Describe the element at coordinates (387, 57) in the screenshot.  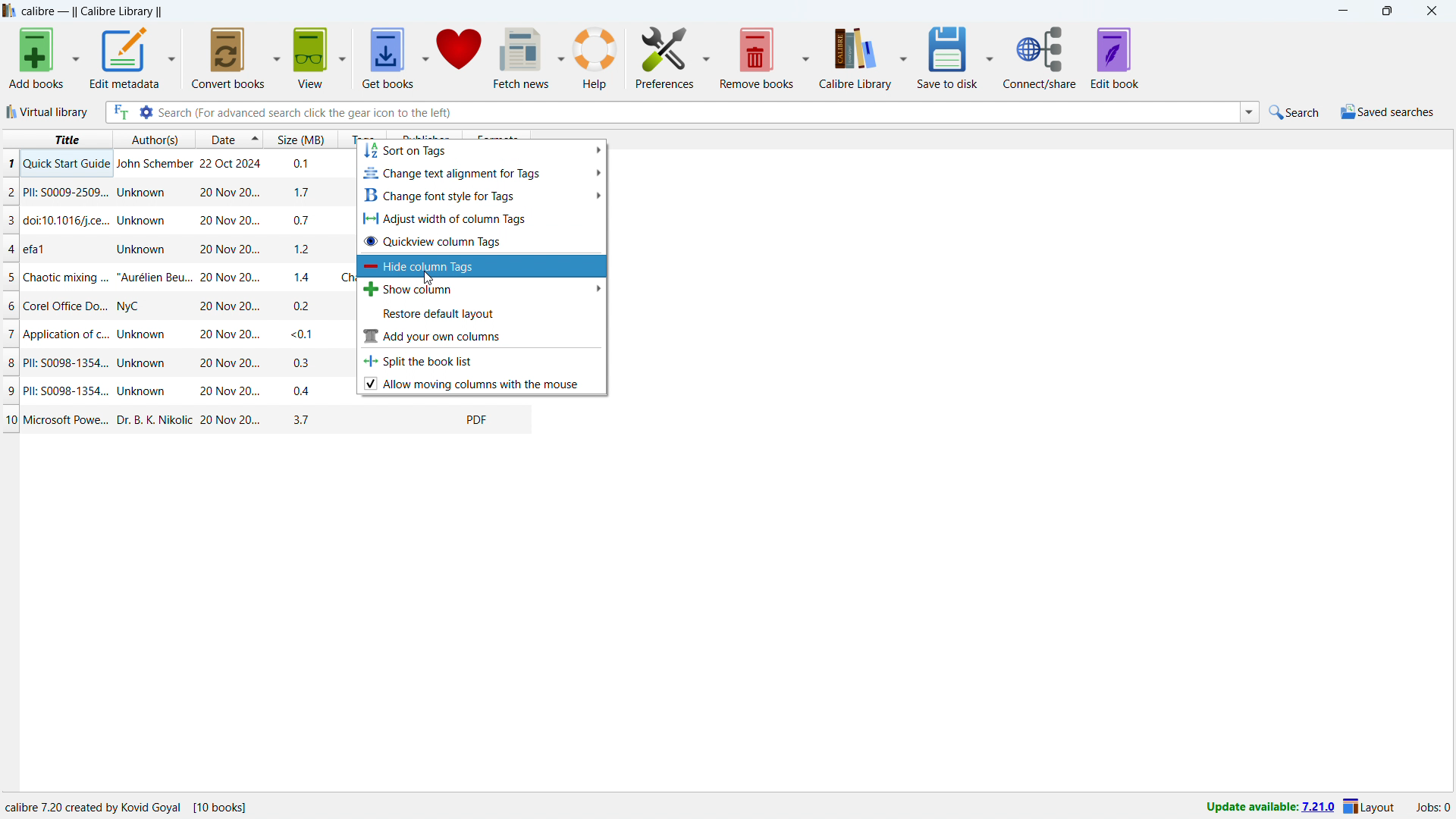
I see `get books` at that location.